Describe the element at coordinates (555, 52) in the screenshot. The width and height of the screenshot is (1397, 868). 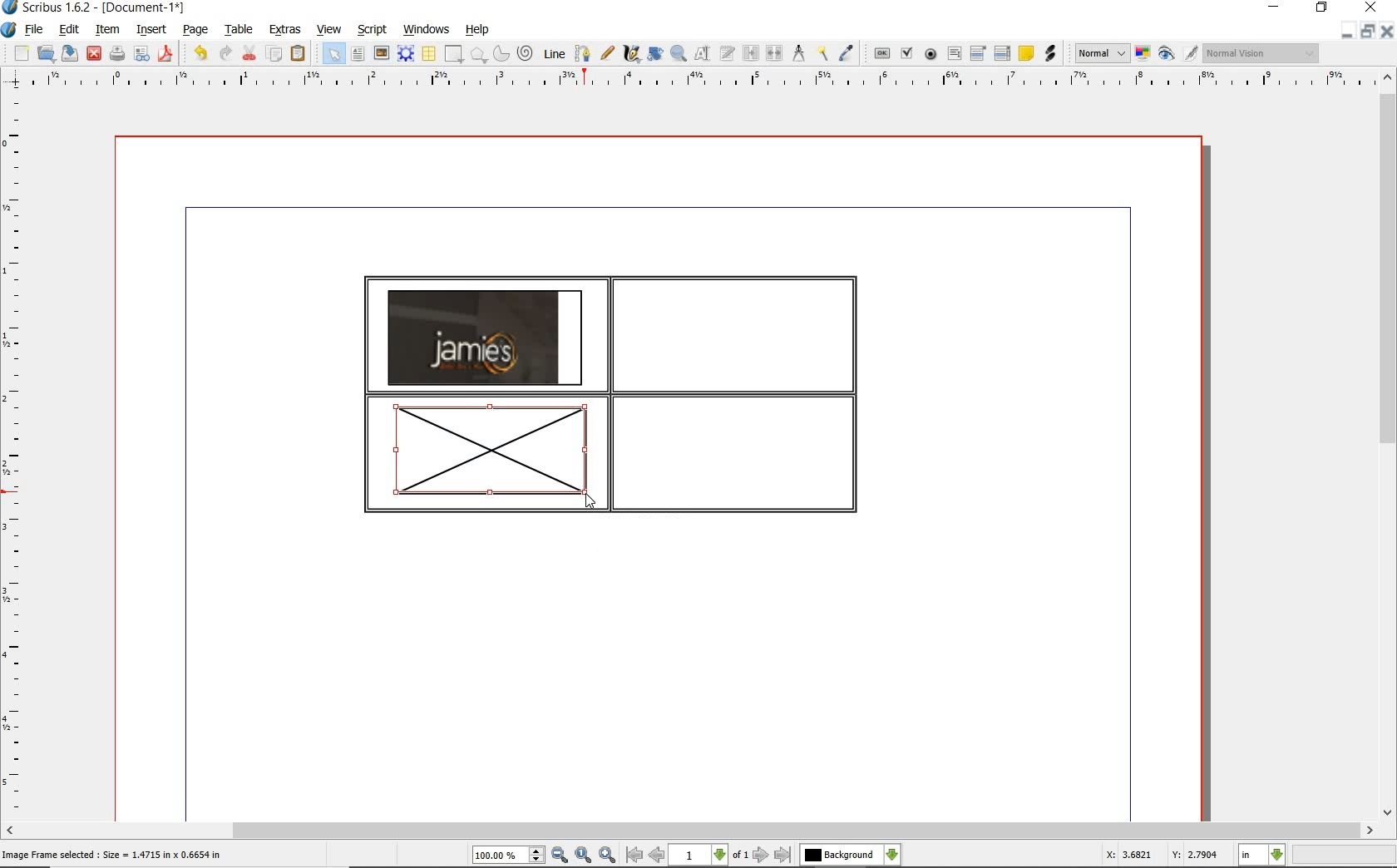
I see `line` at that location.